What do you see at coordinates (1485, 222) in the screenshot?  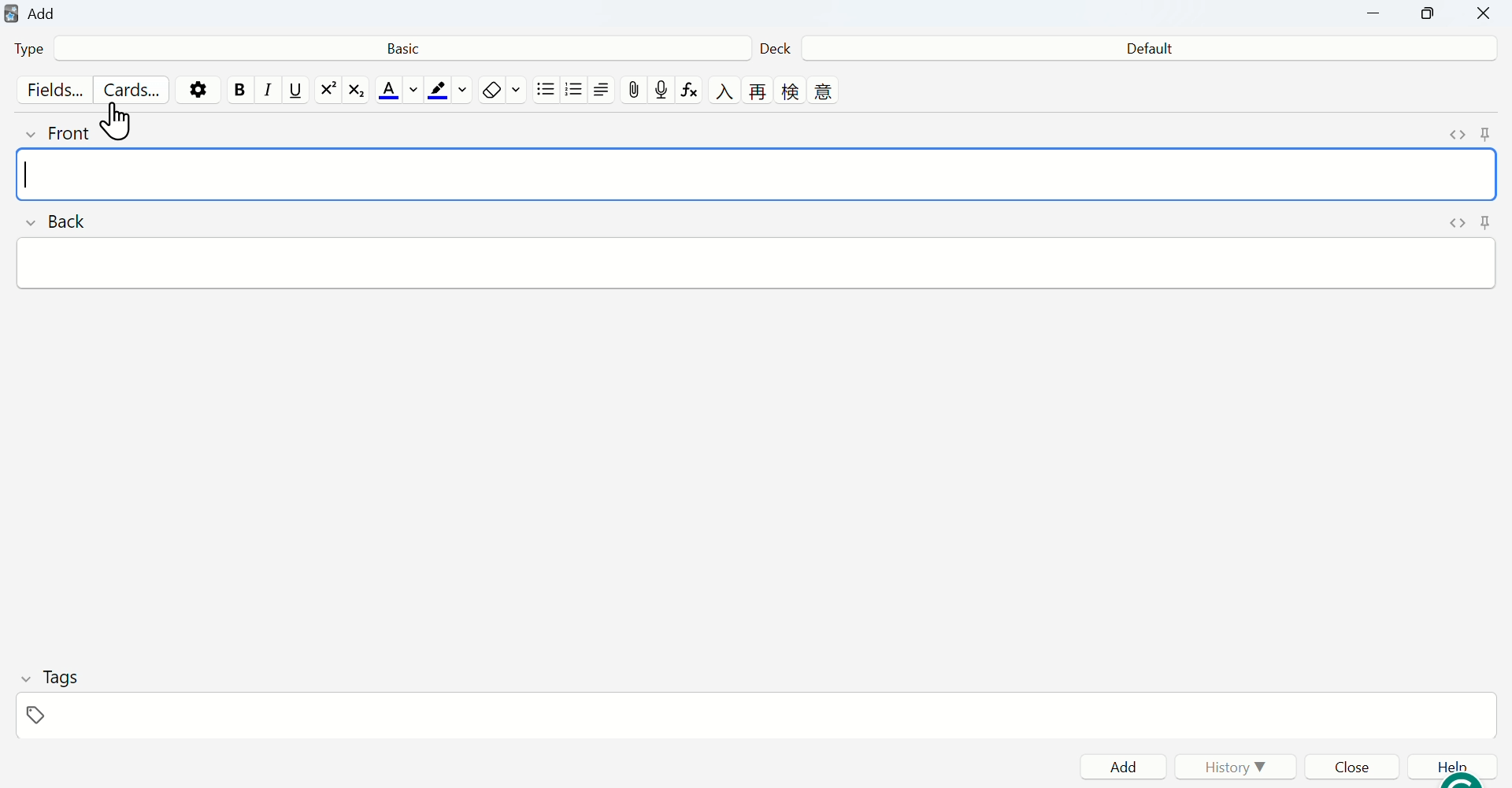 I see `toggle sticky` at bounding box center [1485, 222].